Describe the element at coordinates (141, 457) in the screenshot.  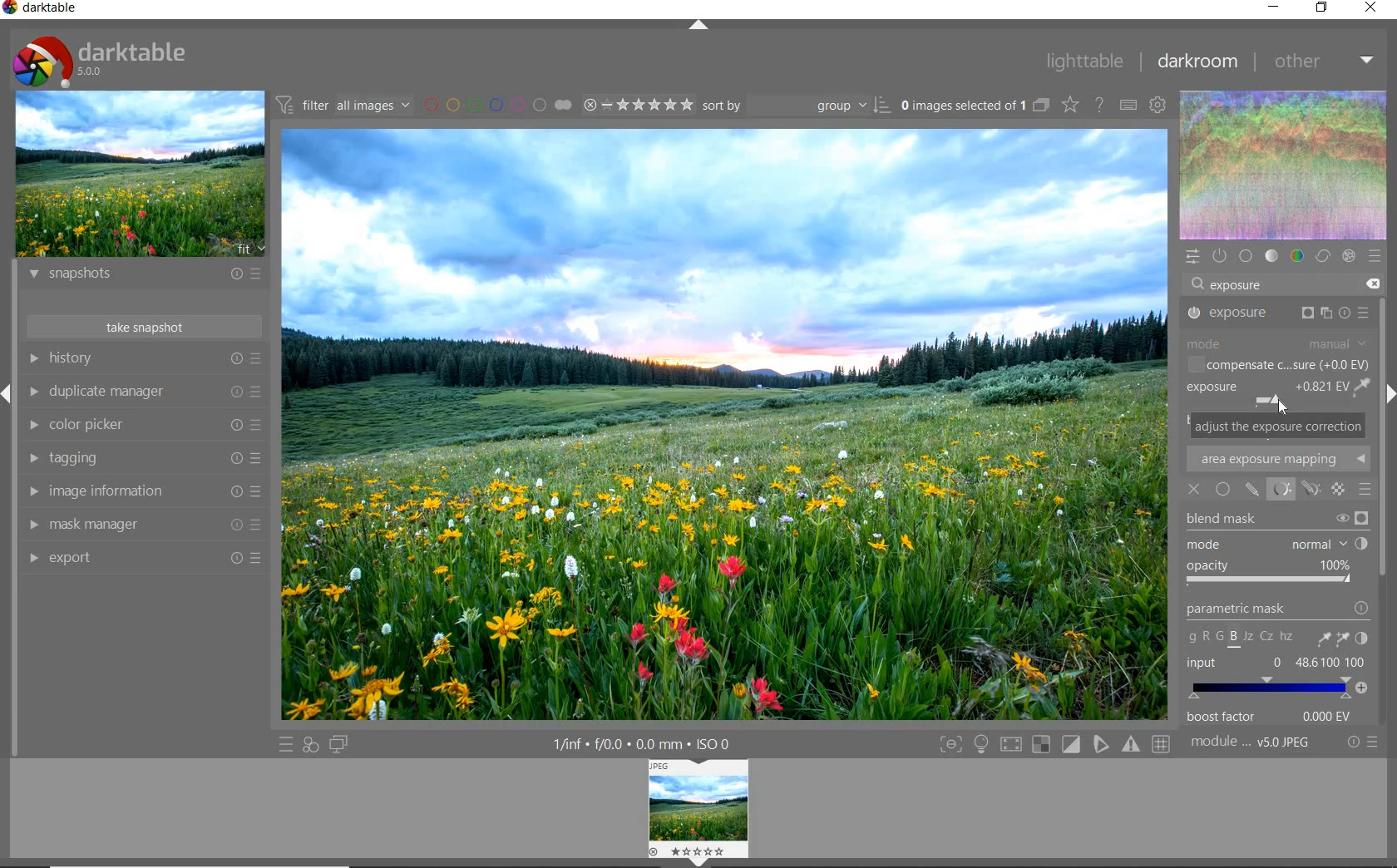
I see `tagging` at that location.